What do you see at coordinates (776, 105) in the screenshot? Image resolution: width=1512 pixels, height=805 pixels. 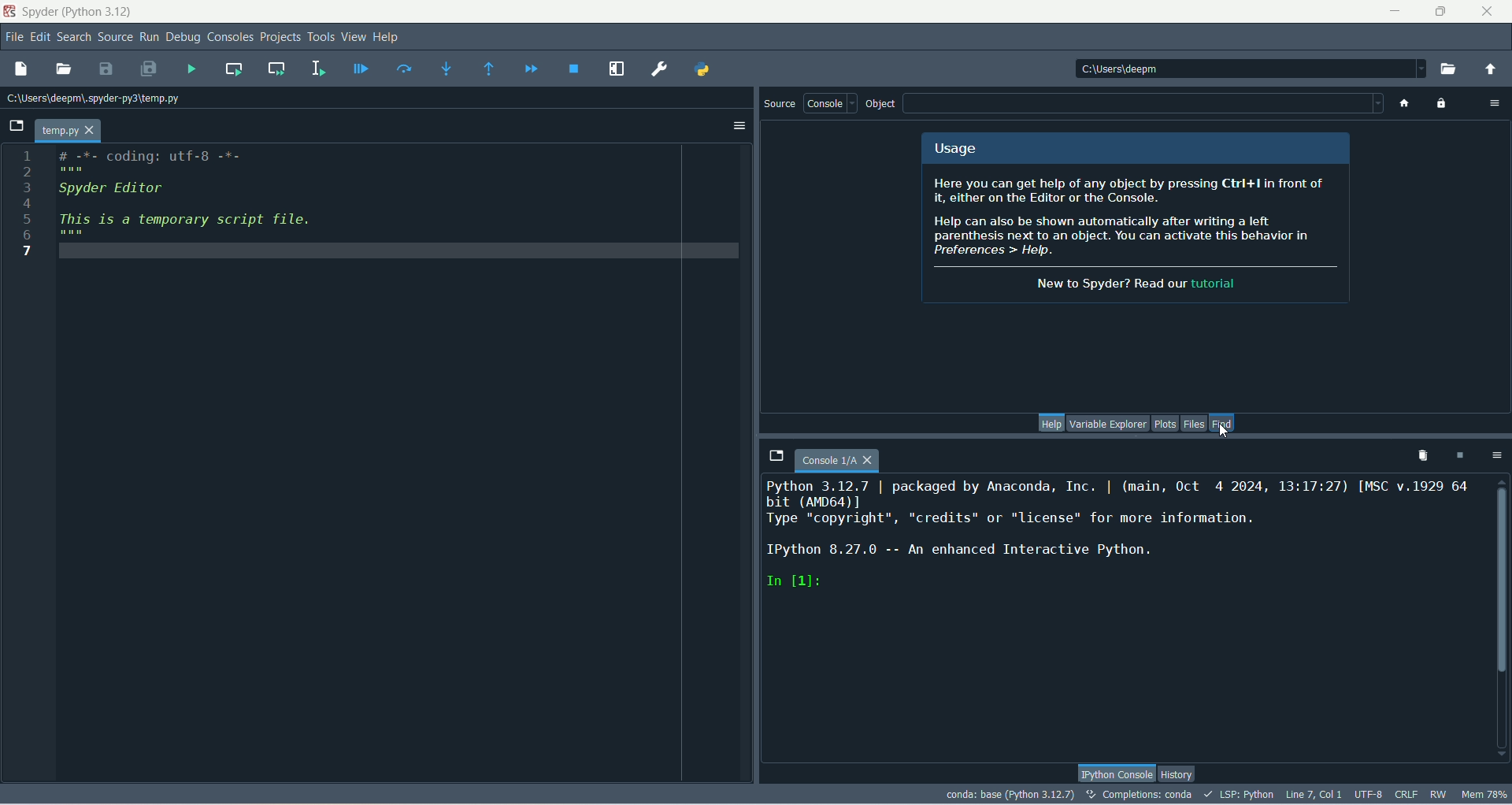 I see `source` at bounding box center [776, 105].